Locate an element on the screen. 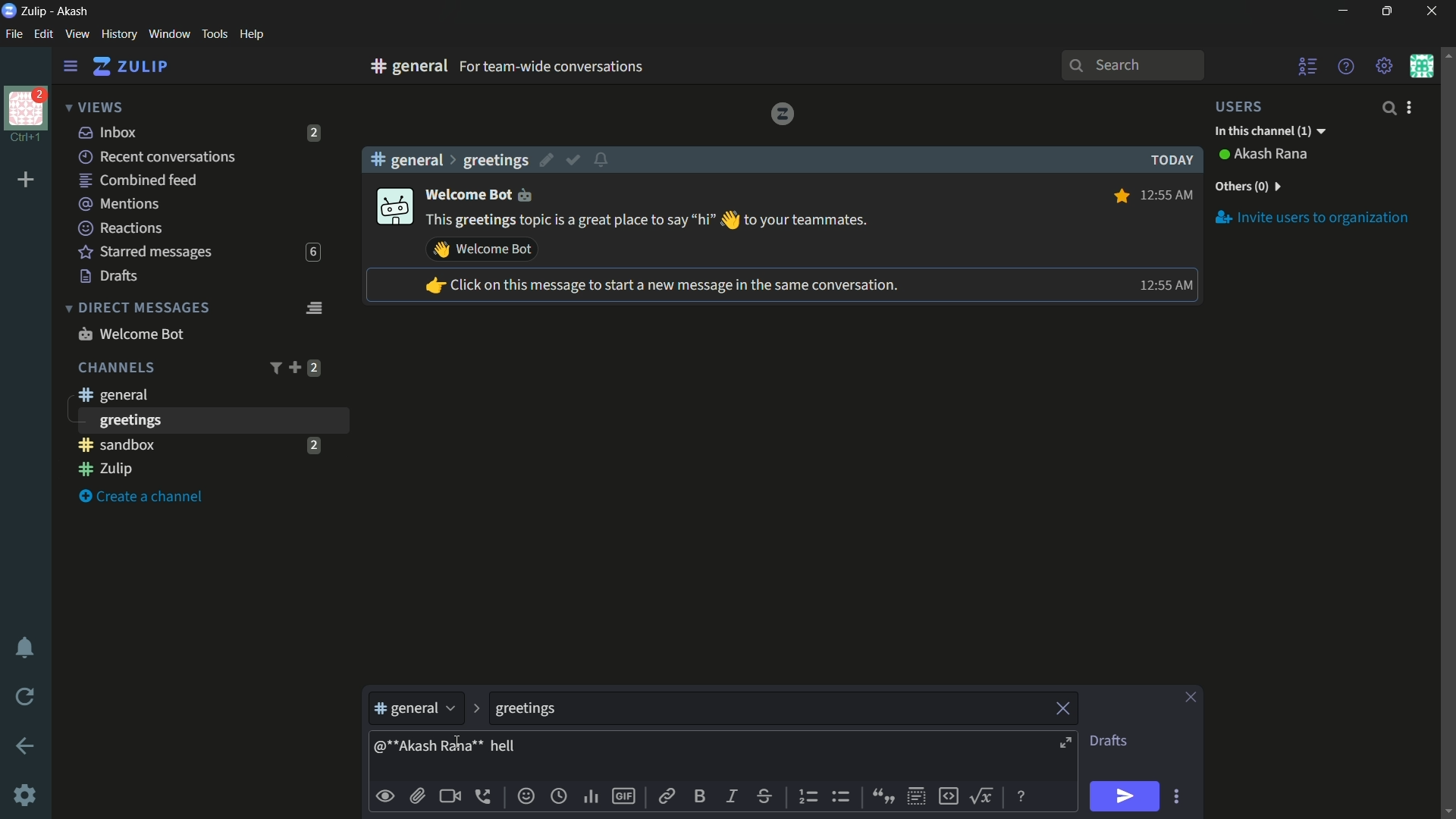  send is located at coordinates (1126, 797).